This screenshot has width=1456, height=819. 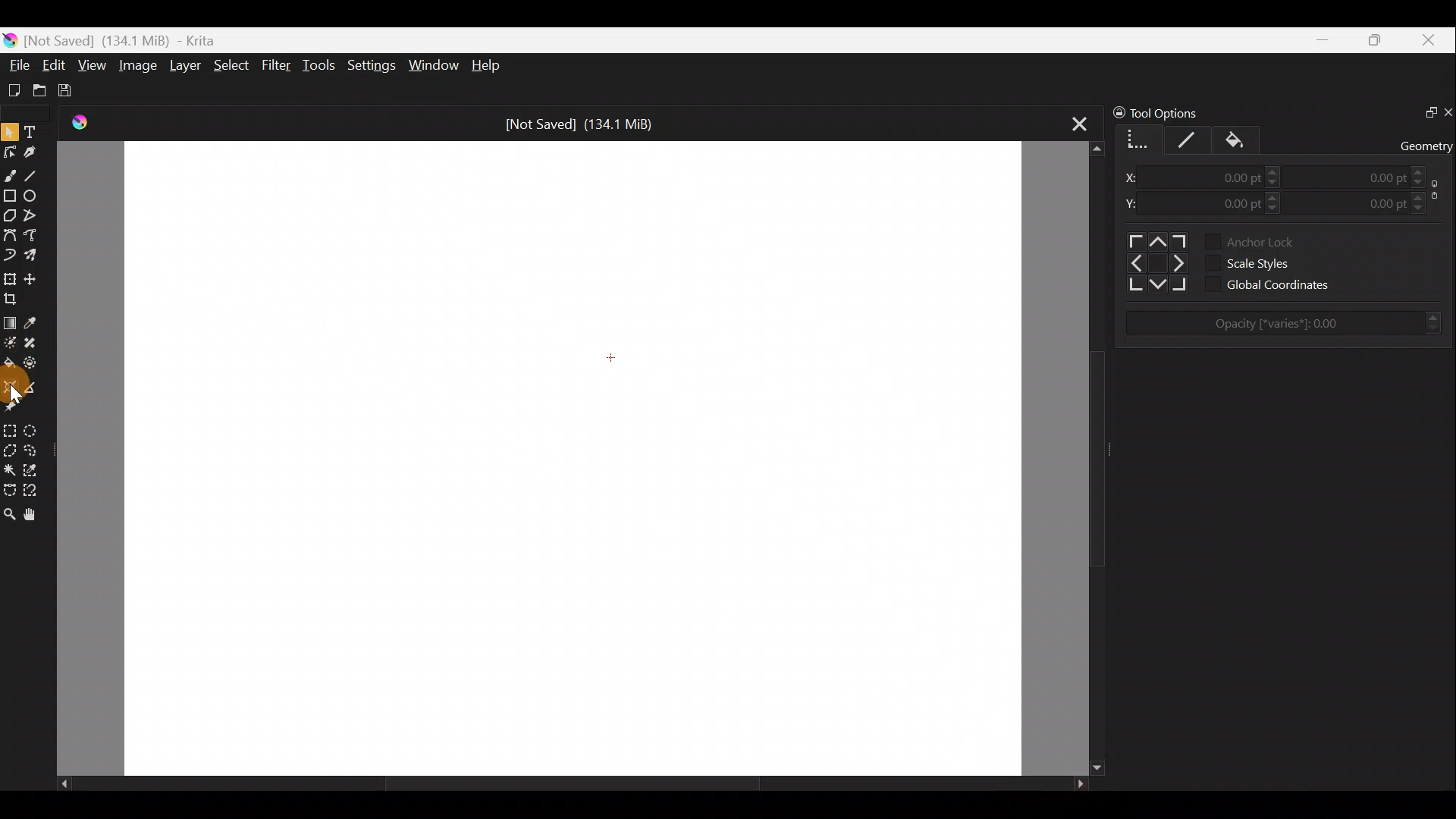 What do you see at coordinates (9, 39) in the screenshot?
I see `Krita logo` at bounding box center [9, 39].